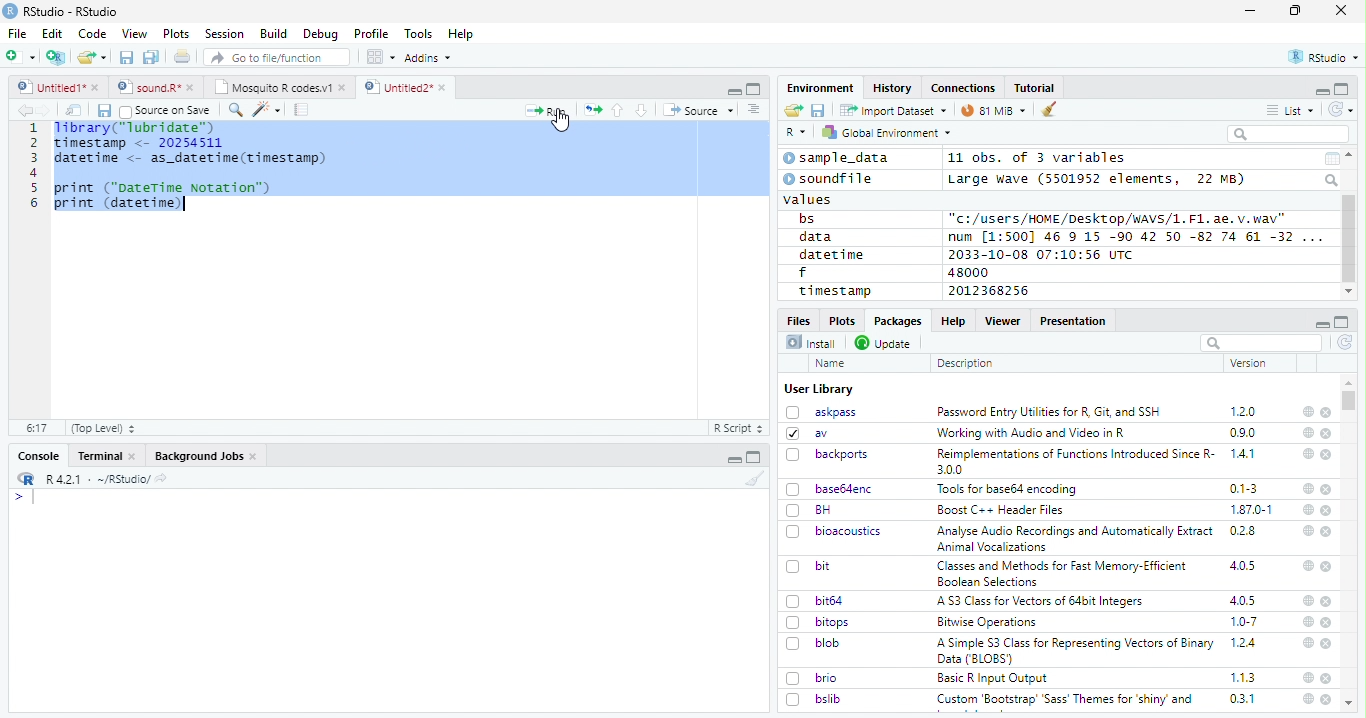 Image resolution: width=1366 pixels, height=718 pixels. I want to click on Re-run the previous code region, so click(591, 111).